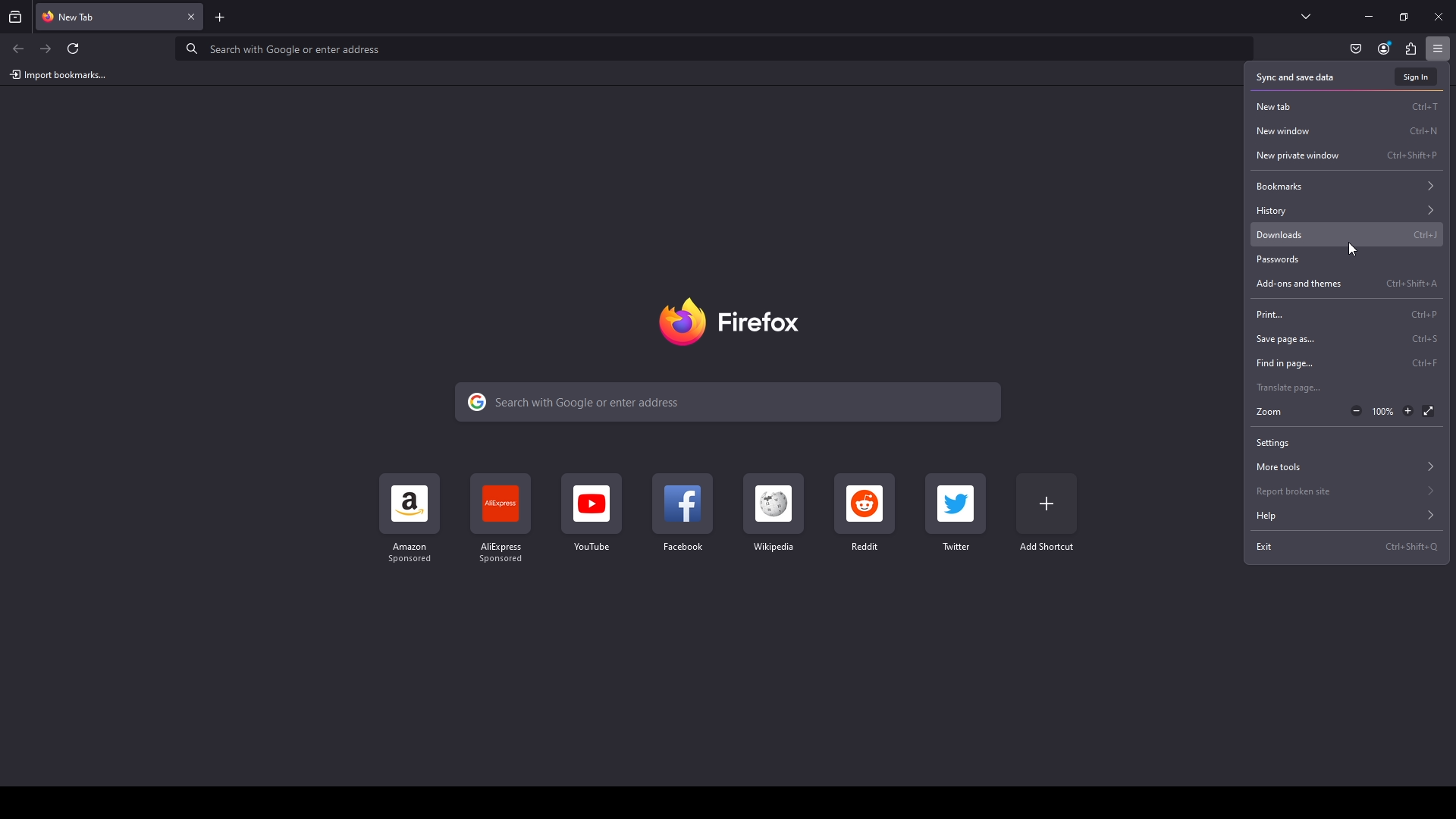 The height and width of the screenshot is (819, 1456). What do you see at coordinates (106, 15) in the screenshot?
I see `New Tab` at bounding box center [106, 15].